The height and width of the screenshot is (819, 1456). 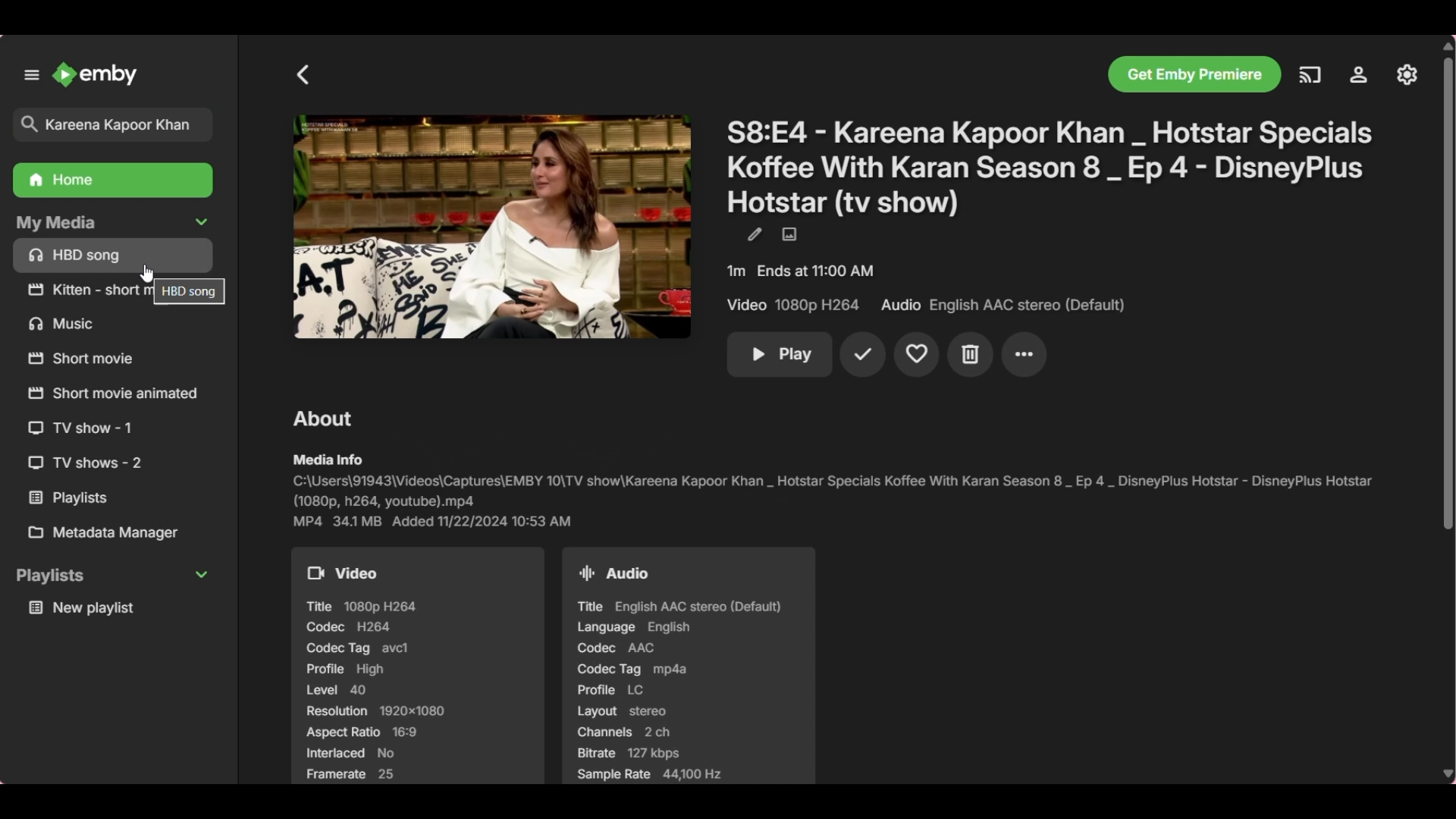 What do you see at coordinates (104, 359) in the screenshot?
I see `` at bounding box center [104, 359].